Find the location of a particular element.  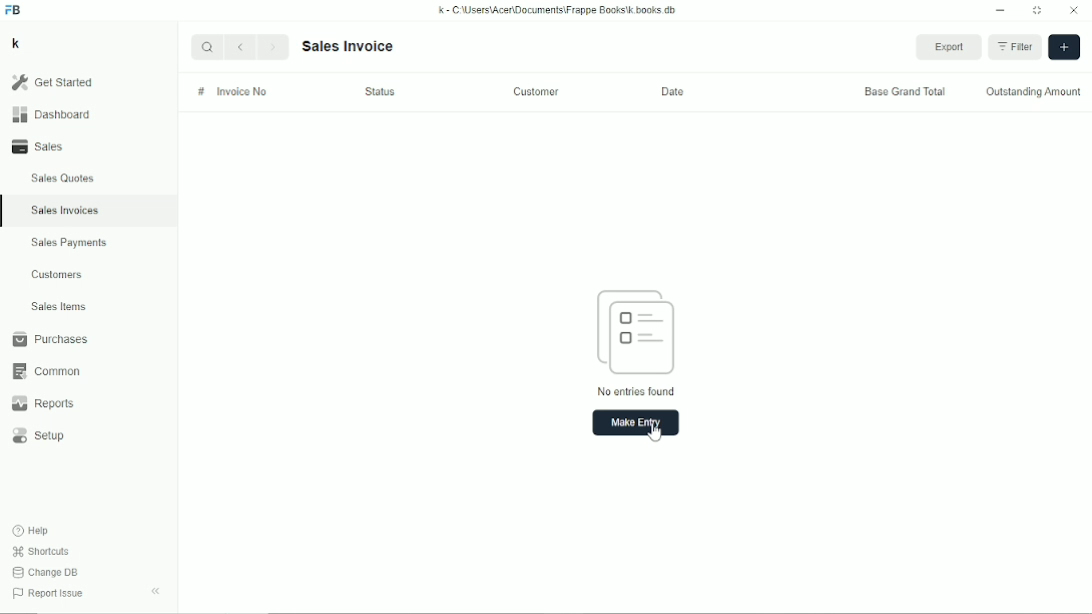

Filter is located at coordinates (1017, 45).